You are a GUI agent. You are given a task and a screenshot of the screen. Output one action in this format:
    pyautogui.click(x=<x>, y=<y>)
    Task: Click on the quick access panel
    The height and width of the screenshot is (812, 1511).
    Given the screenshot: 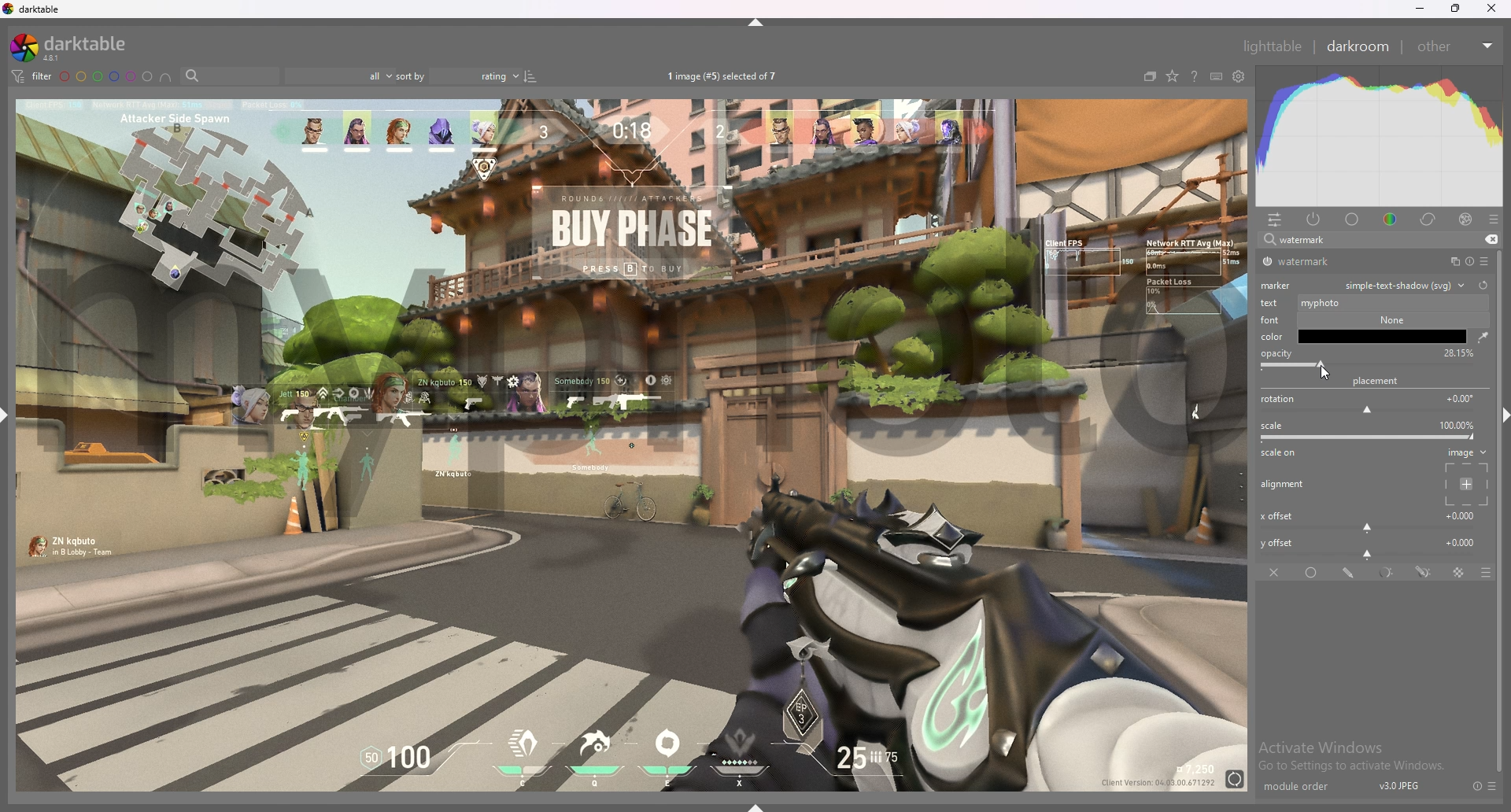 What is the action you would take?
    pyautogui.click(x=1275, y=220)
    